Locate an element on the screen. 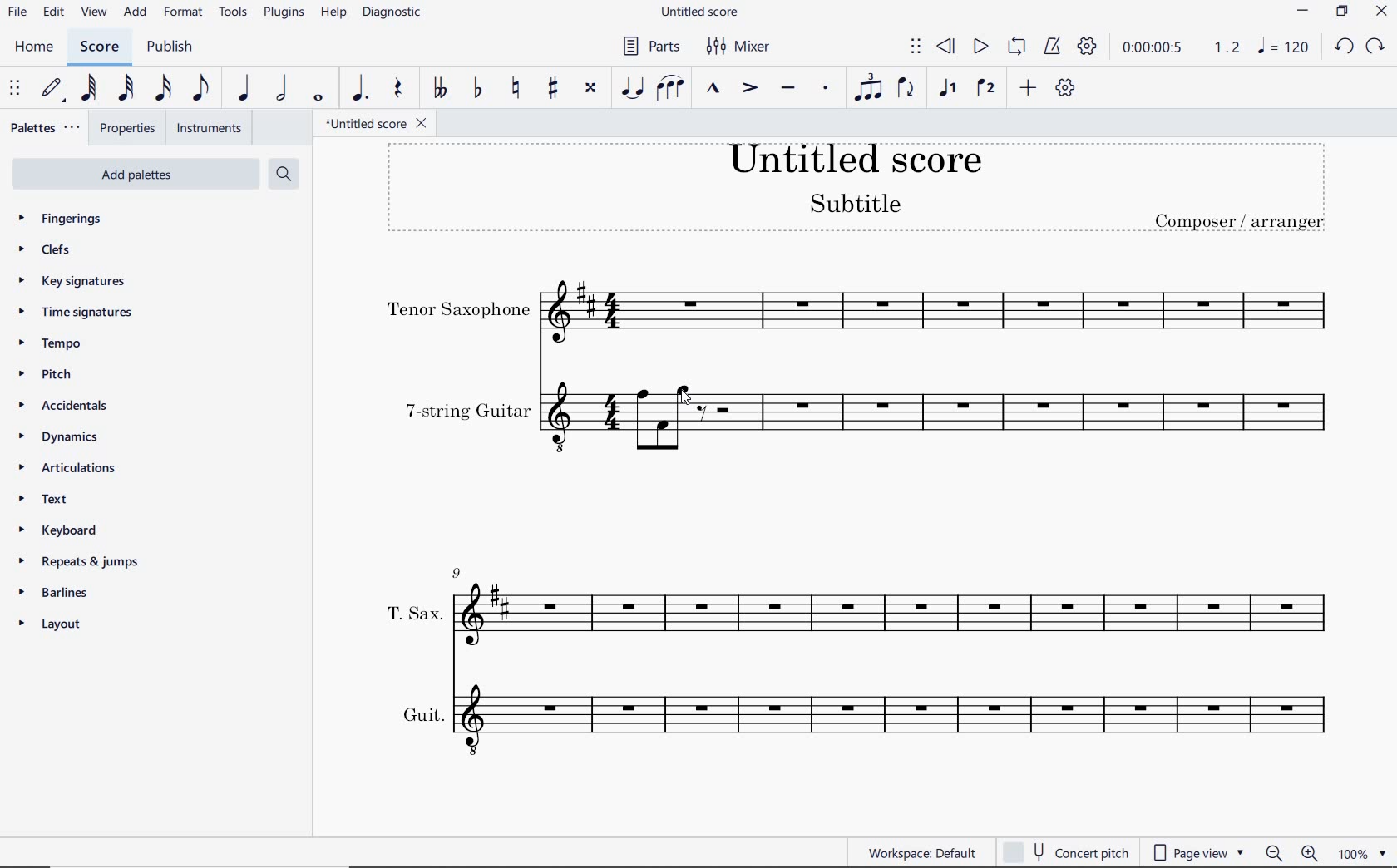 This screenshot has height=868, width=1397. HOME is located at coordinates (38, 48).